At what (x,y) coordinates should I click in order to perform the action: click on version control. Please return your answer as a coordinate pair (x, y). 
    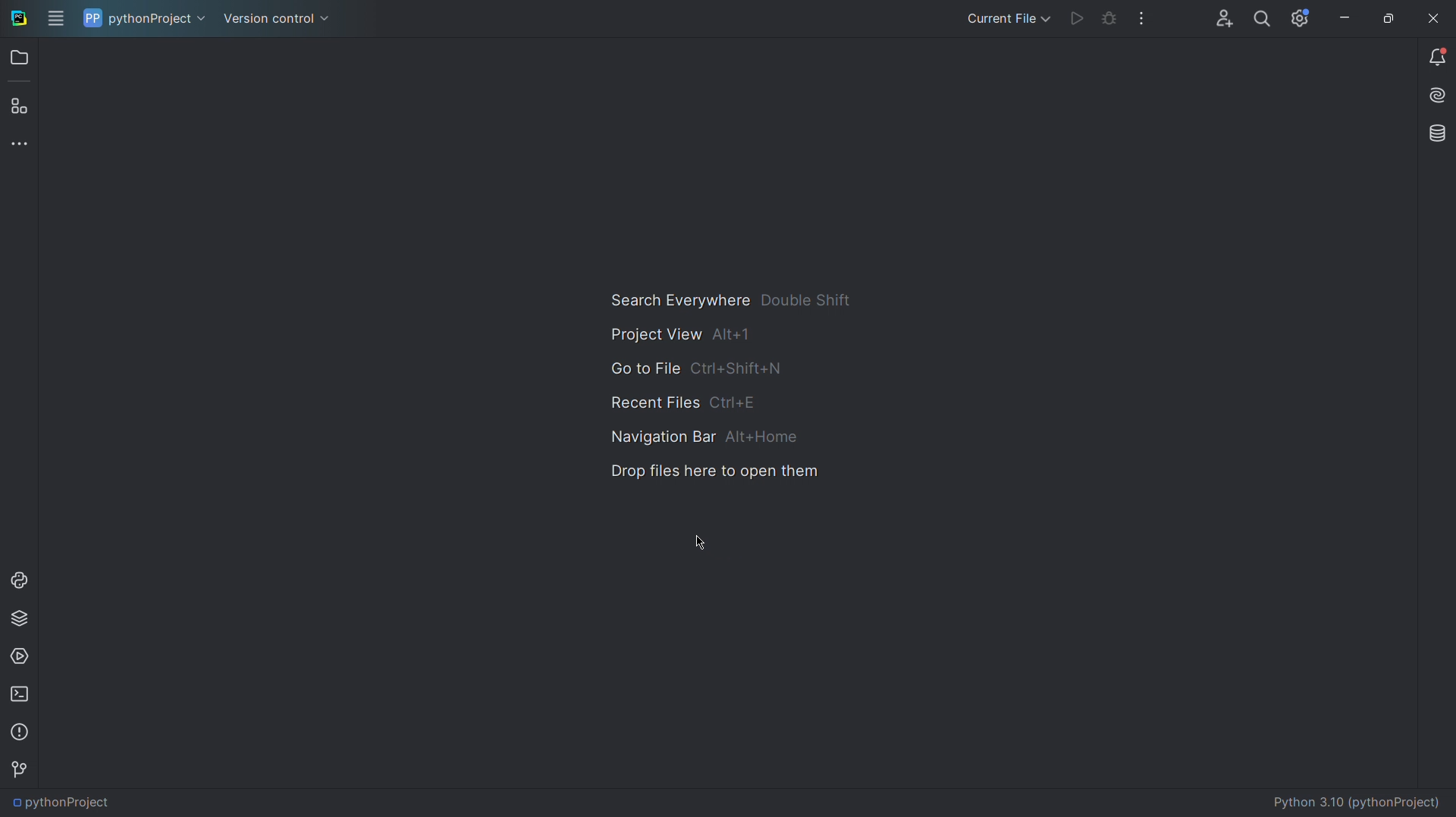
    Looking at the image, I should click on (275, 17).